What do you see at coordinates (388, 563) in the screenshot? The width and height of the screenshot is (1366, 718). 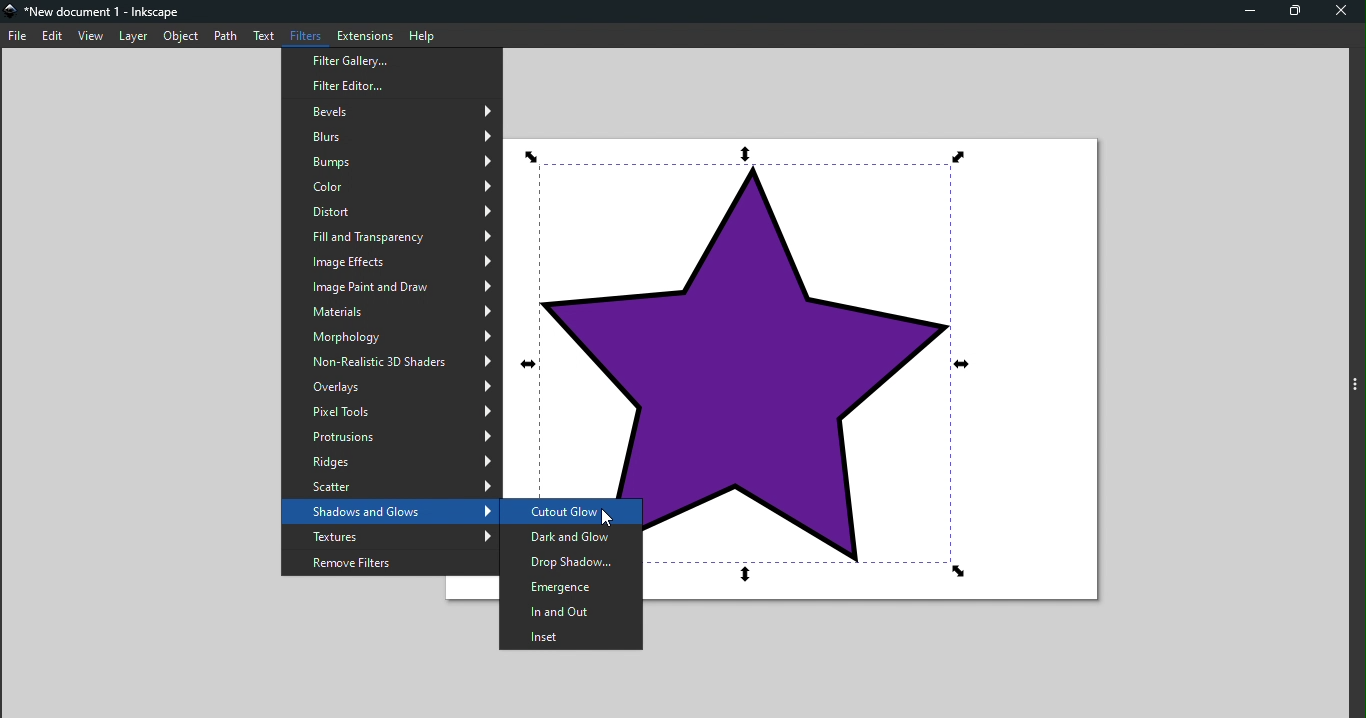 I see `Remove filters` at bounding box center [388, 563].